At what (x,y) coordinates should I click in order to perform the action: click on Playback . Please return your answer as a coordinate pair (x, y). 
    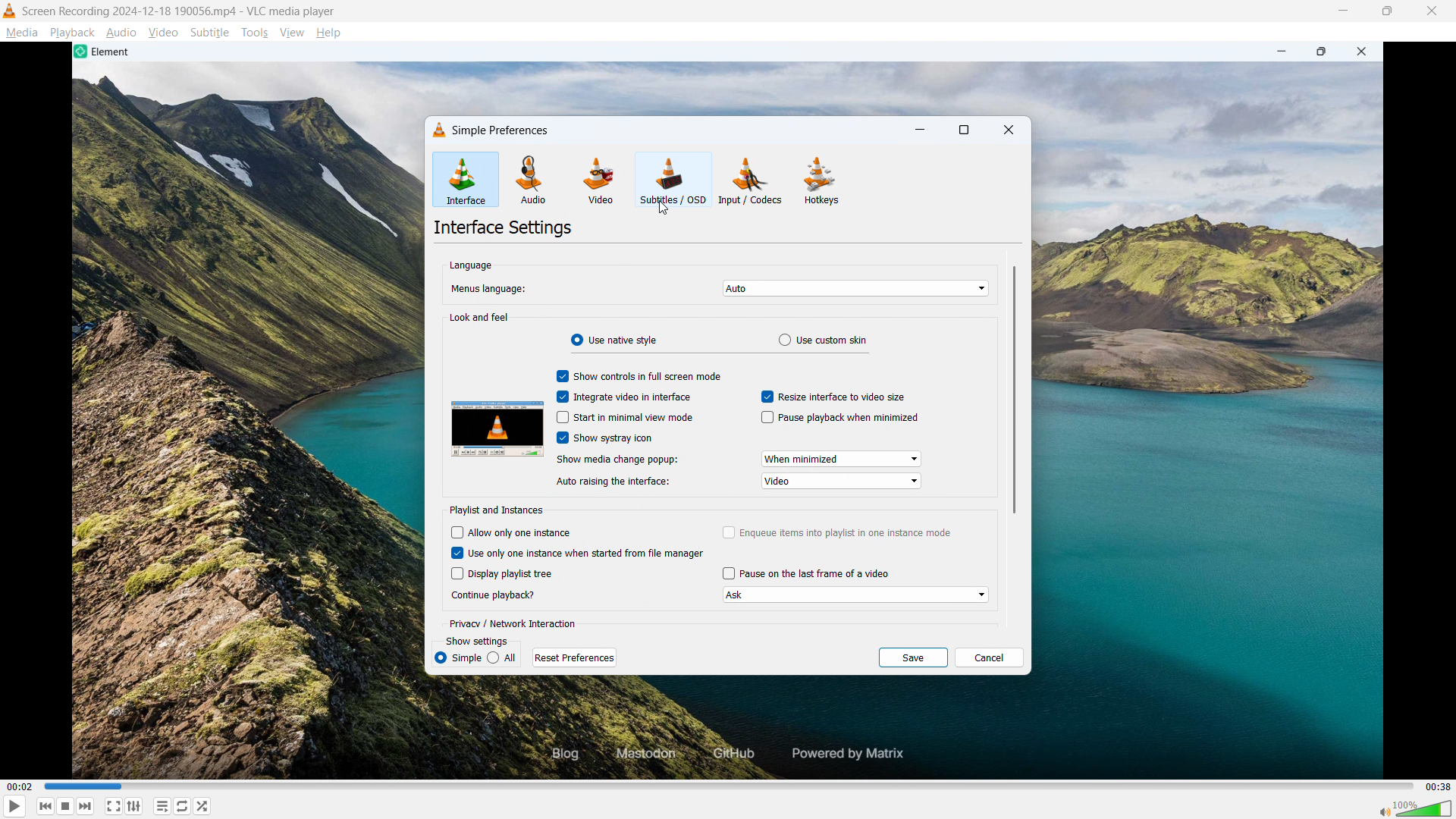
    Looking at the image, I should click on (73, 33).